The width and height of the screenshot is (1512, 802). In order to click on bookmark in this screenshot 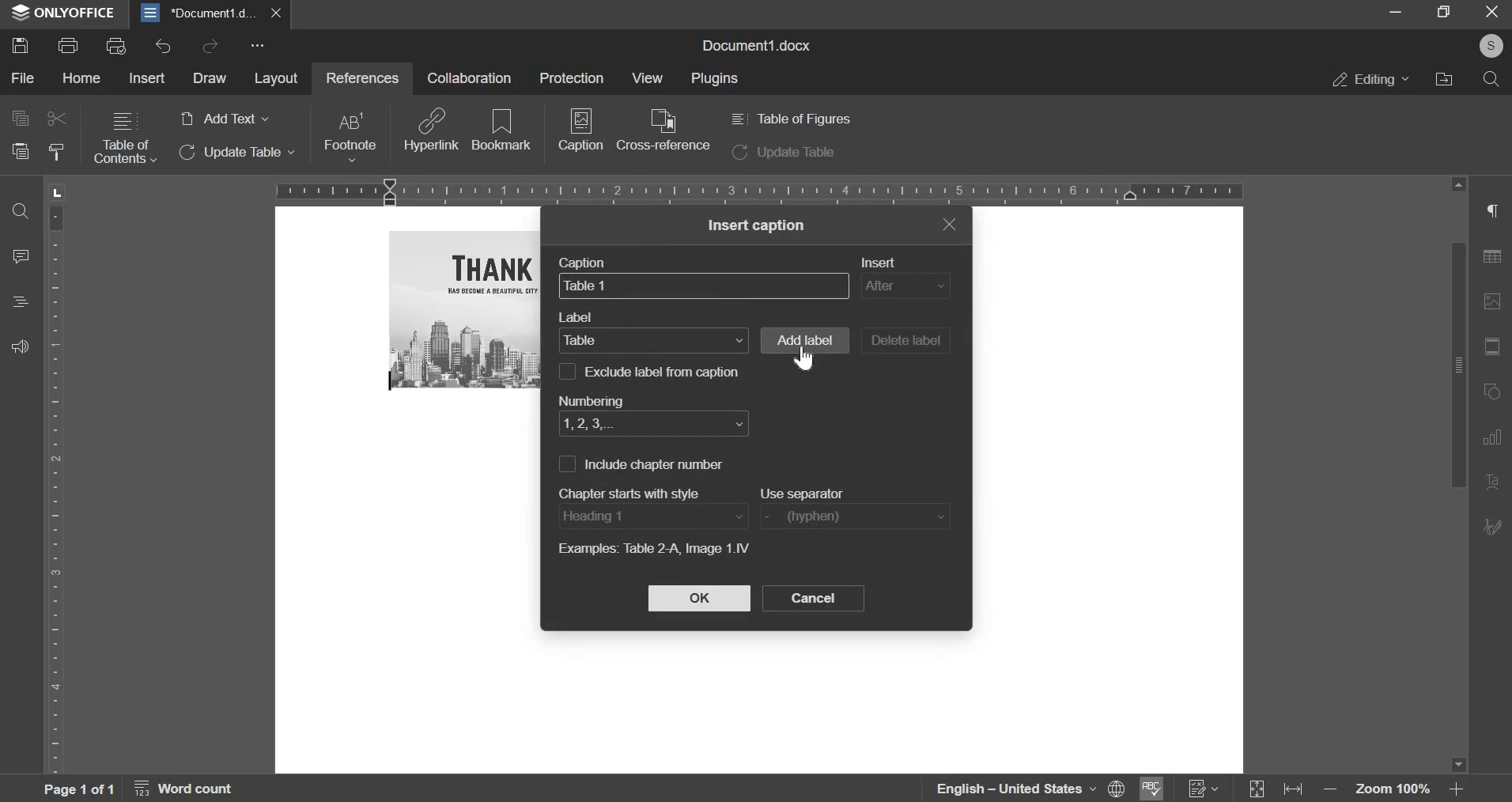, I will do `click(502, 128)`.